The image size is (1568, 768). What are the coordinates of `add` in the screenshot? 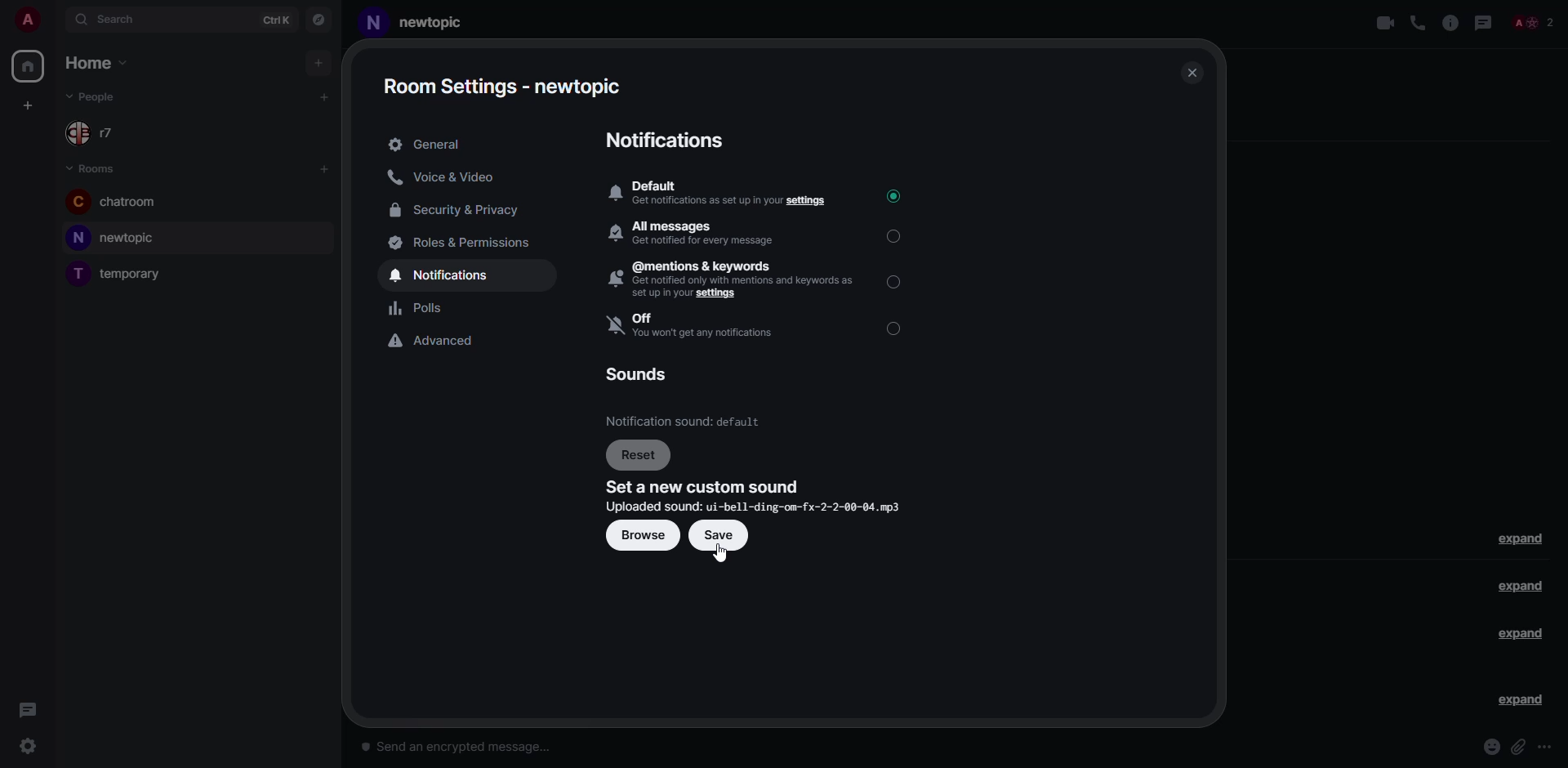 It's located at (28, 104).